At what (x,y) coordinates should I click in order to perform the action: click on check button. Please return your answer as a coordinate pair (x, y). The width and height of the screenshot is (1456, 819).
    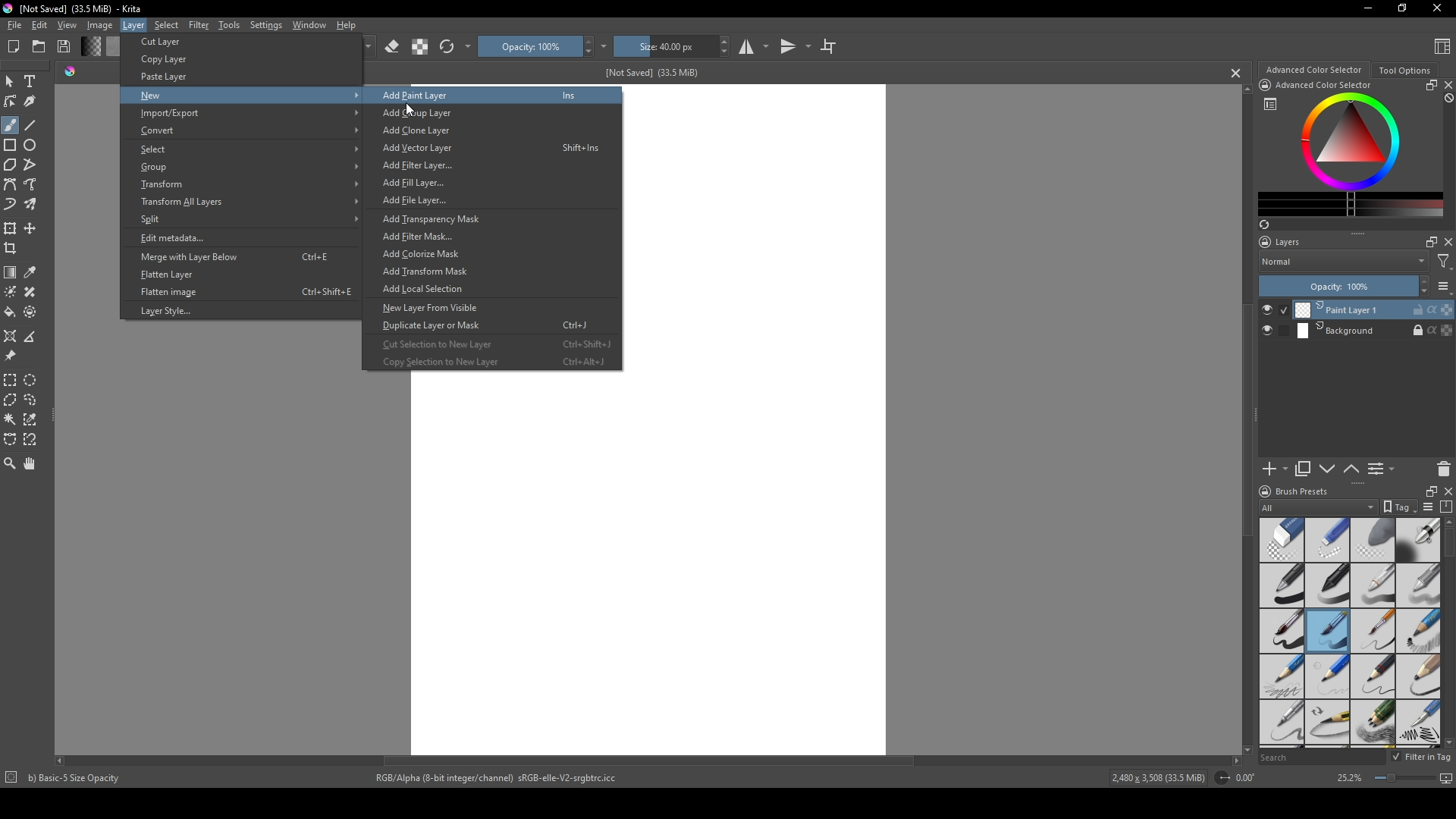
    Looking at the image, I should click on (1275, 331).